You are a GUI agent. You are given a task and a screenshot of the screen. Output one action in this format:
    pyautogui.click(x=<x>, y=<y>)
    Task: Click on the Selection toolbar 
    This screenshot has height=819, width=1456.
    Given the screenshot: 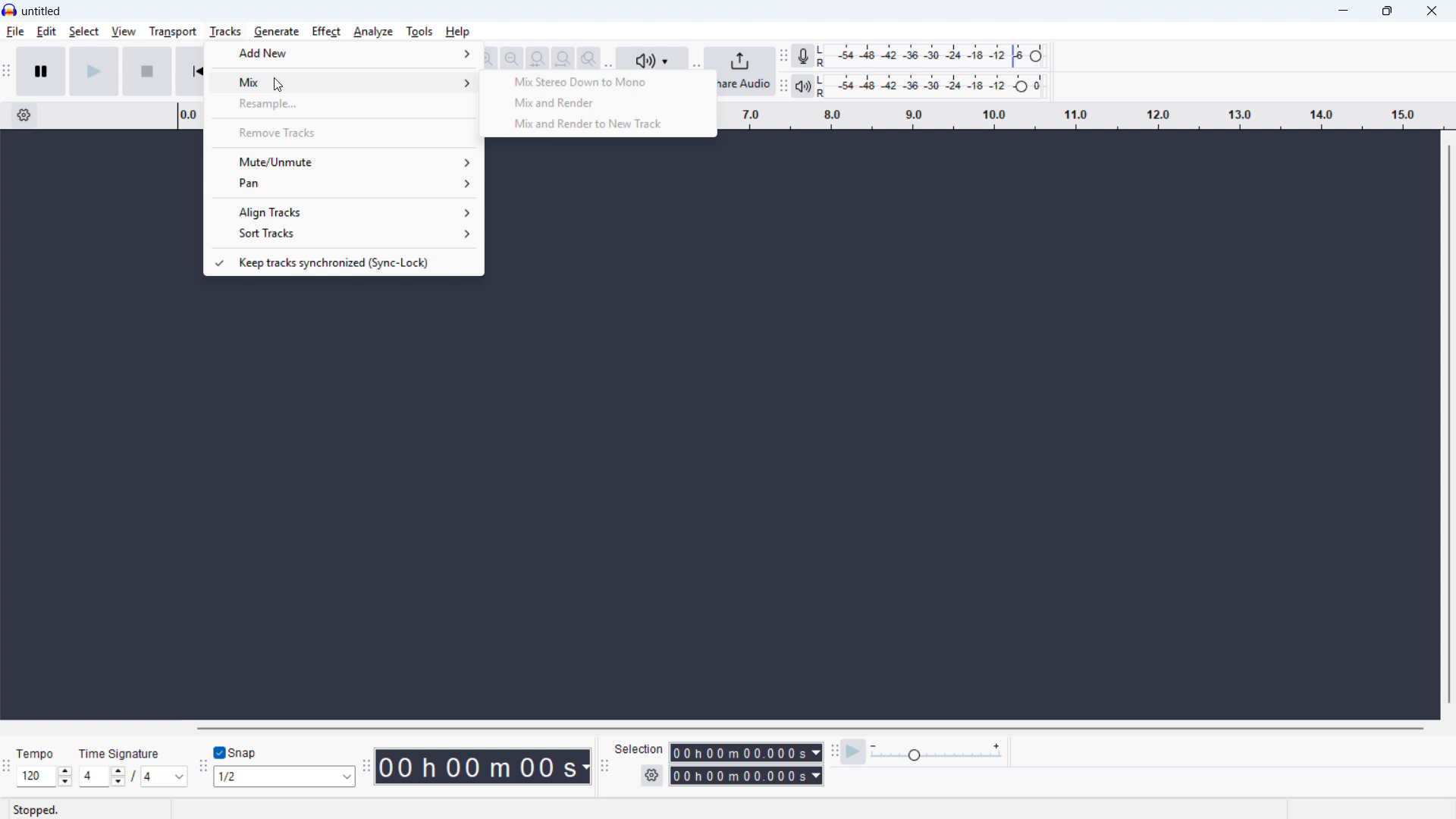 What is the action you would take?
    pyautogui.click(x=605, y=767)
    